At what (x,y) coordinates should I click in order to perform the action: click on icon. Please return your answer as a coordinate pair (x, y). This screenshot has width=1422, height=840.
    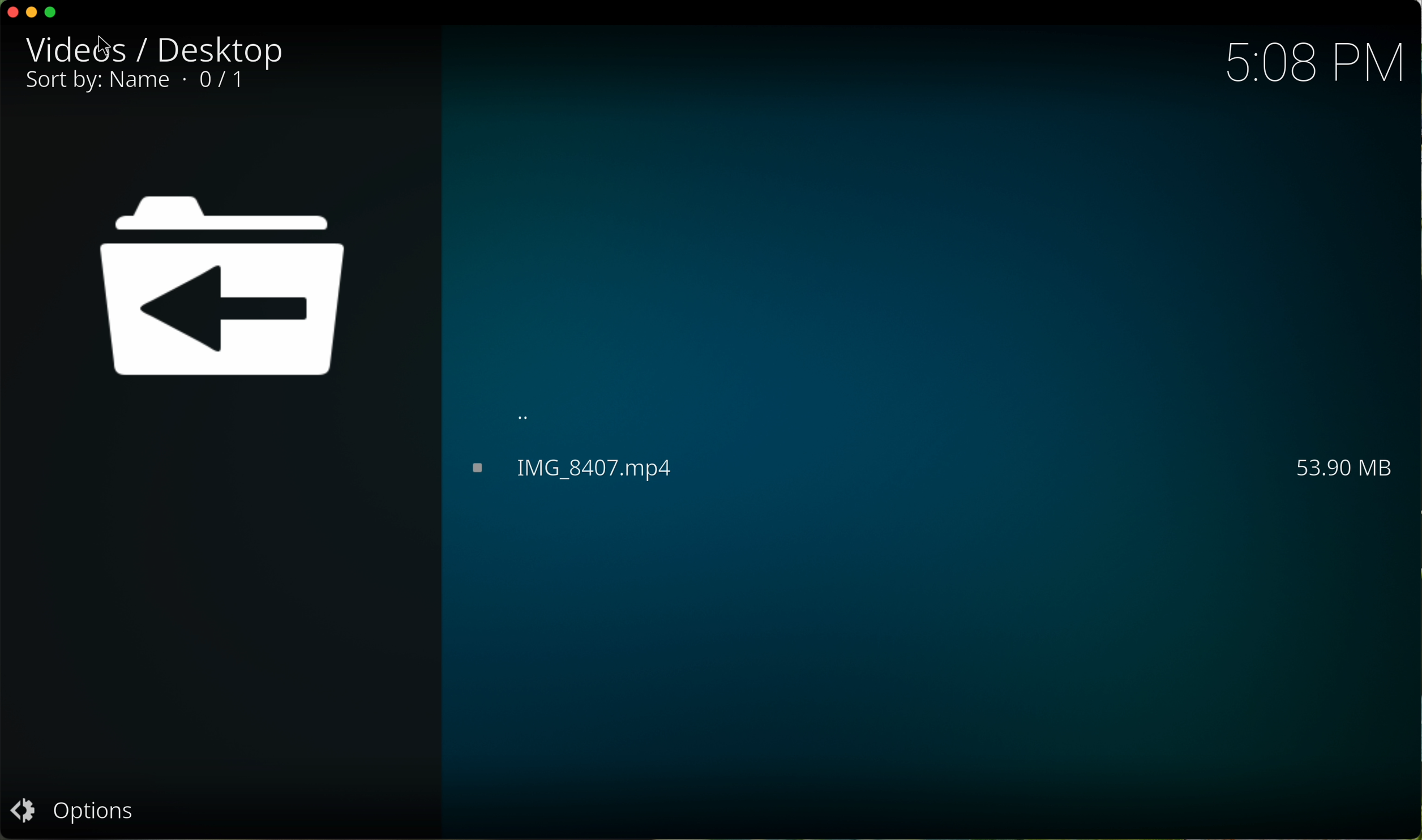
    Looking at the image, I should click on (232, 294).